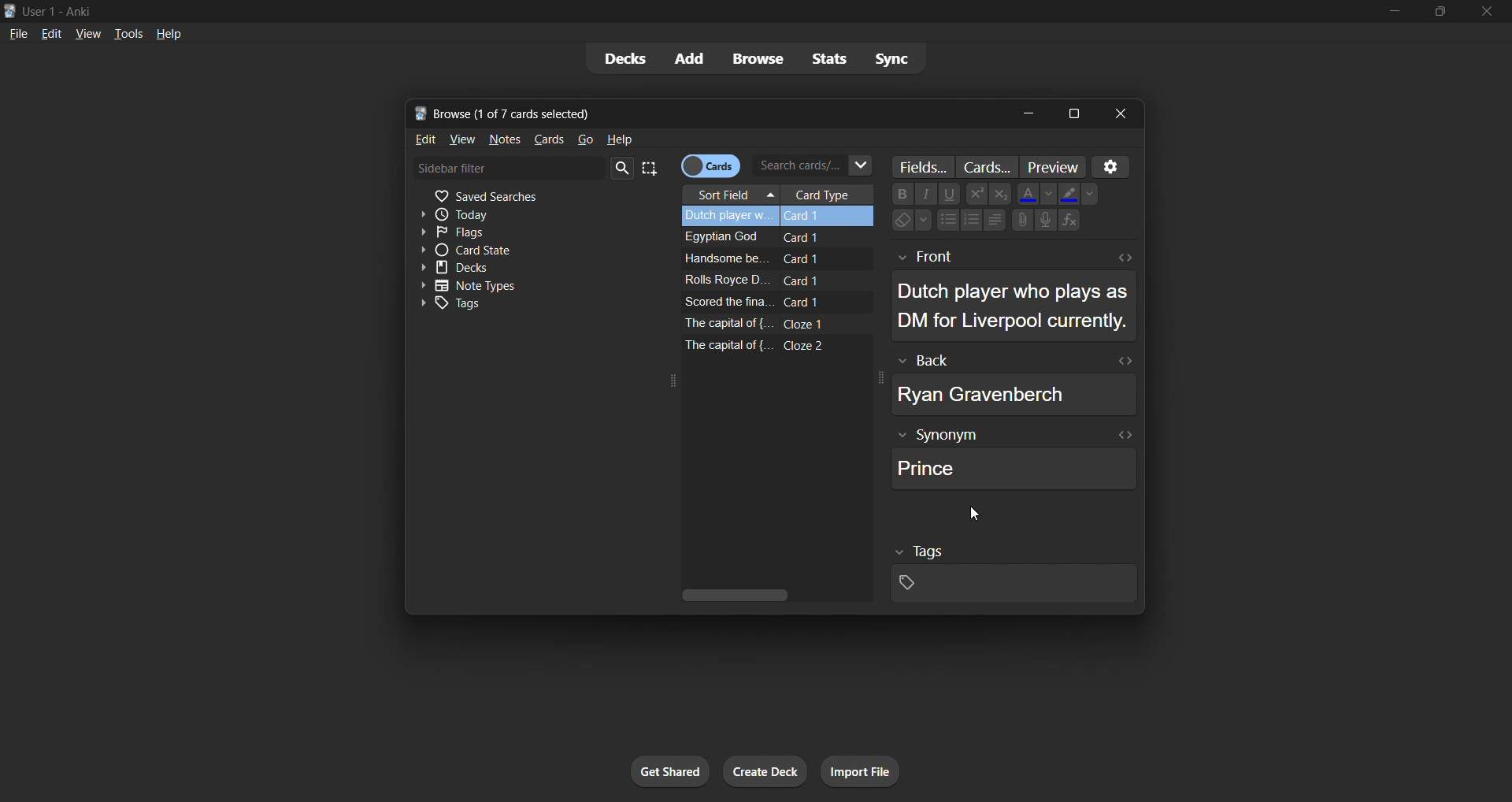 This screenshot has width=1512, height=802. I want to click on add, so click(691, 58).